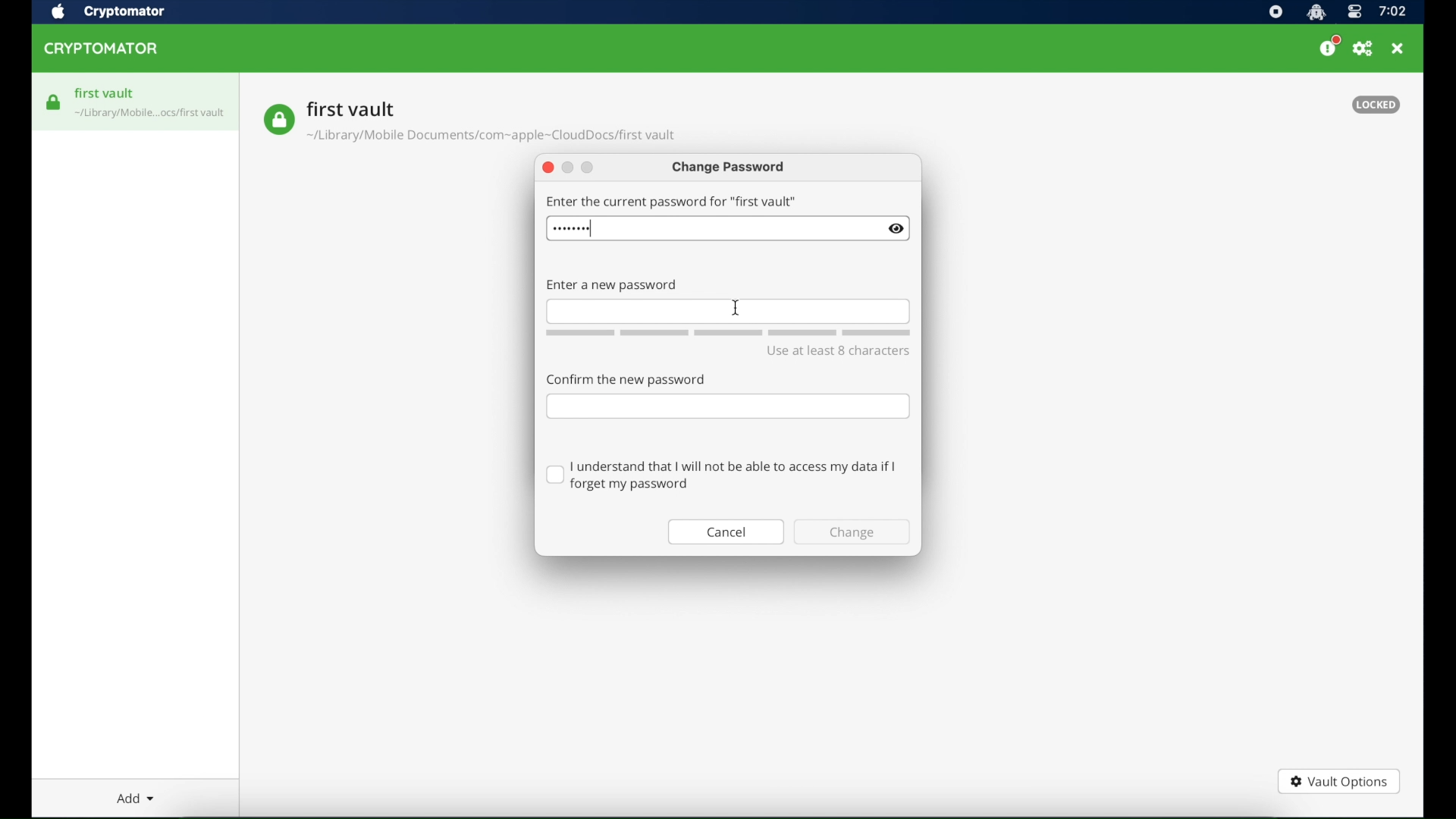 This screenshot has height=819, width=1456. I want to click on crytptomator, so click(124, 13).